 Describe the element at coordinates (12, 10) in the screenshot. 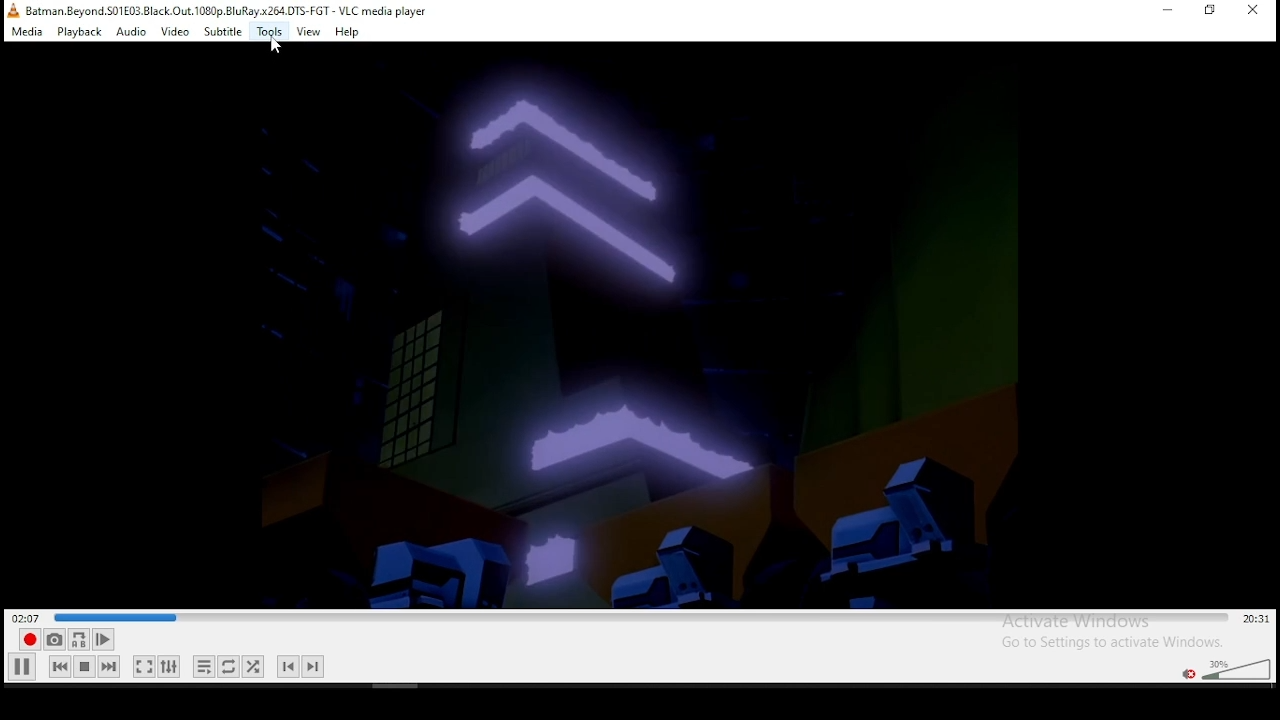

I see `VLC icon` at that location.